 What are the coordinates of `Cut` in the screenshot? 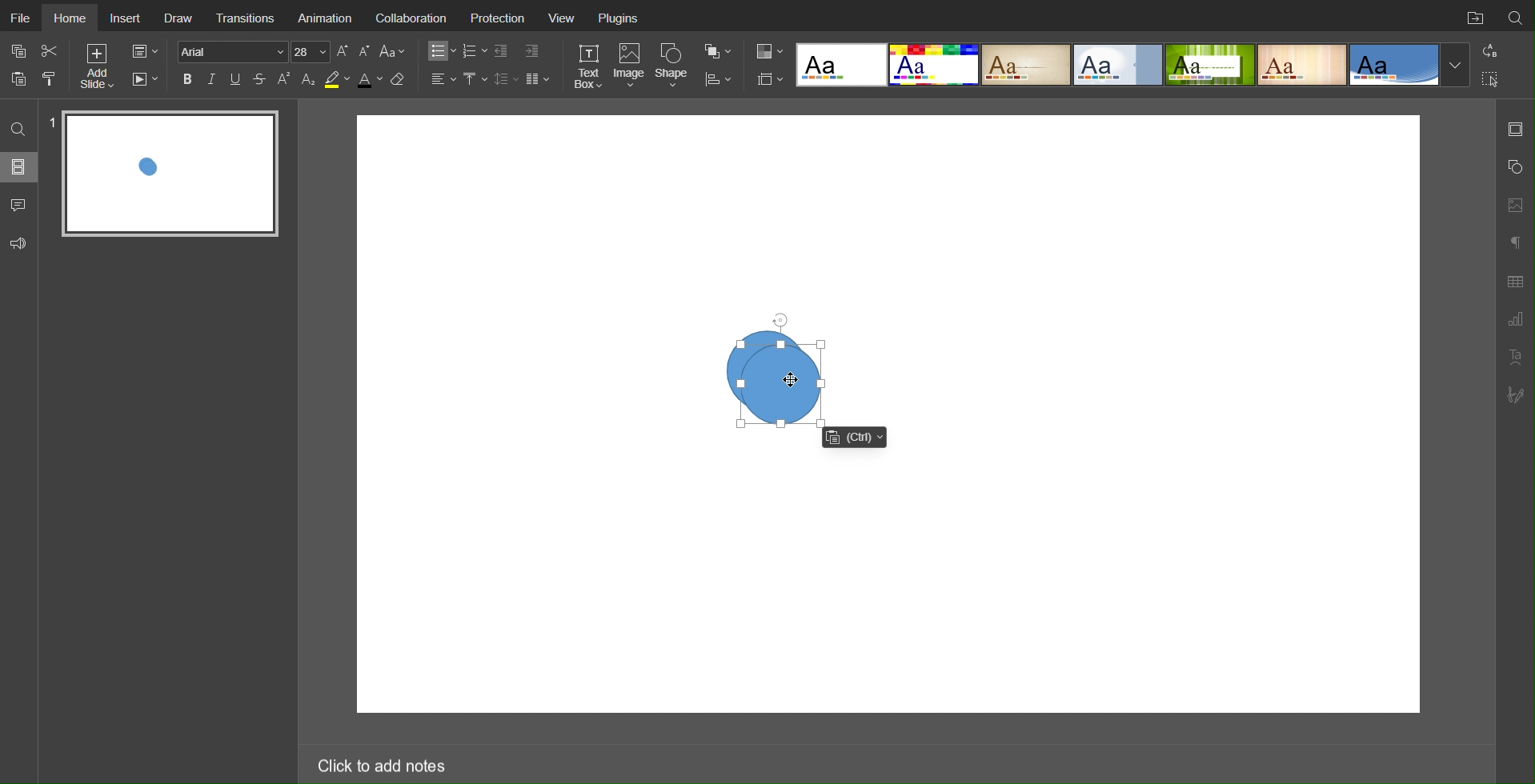 It's located at (51, 50).